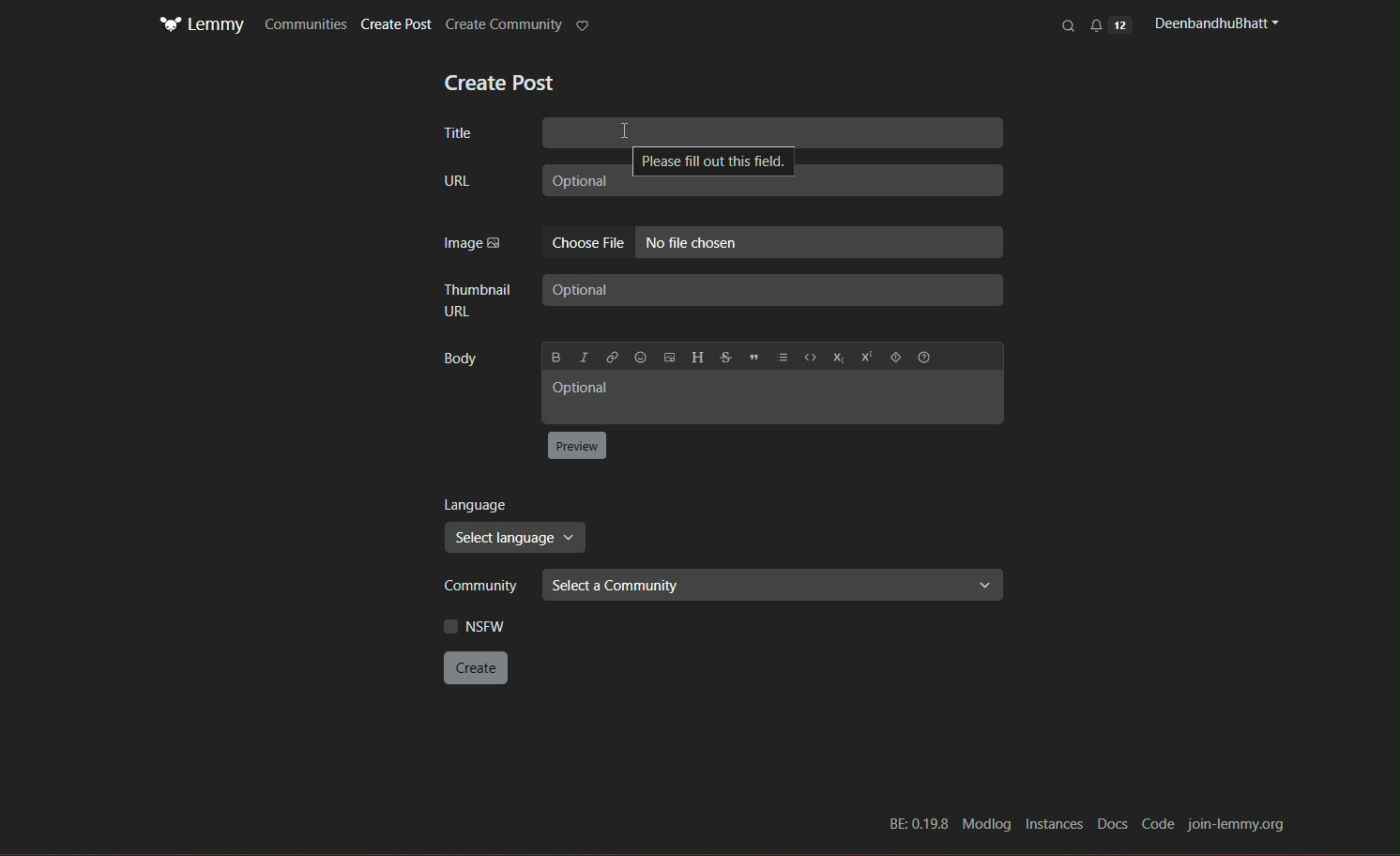 The height and width of the screenshot is (856, 1400). What do you see at coordinates (625, 132) in the screenshot?
I see `Cursor` at bounding box center [625, 132].